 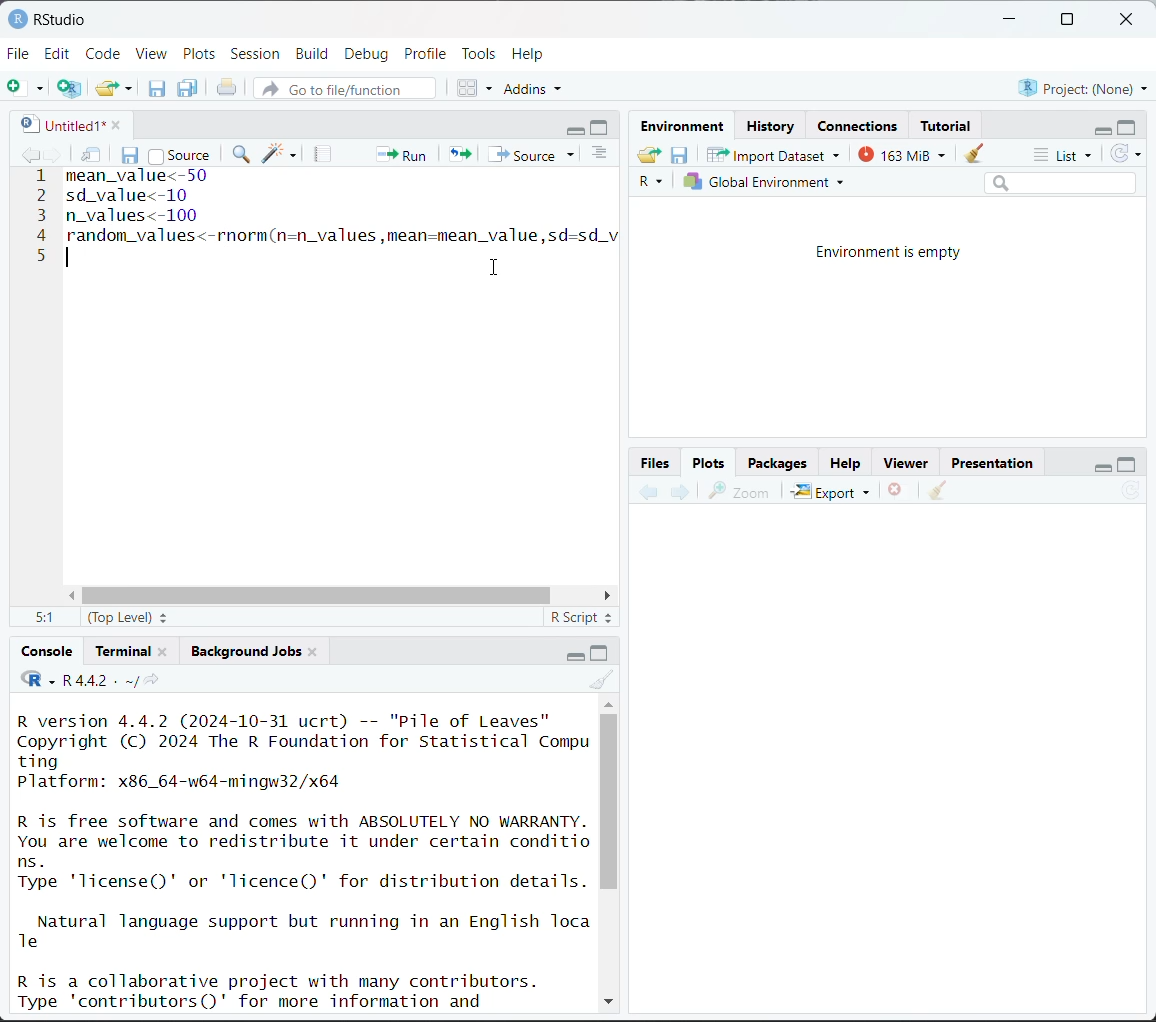 What do you see at coordinates (200, 53) in the screenshot?
I see `Plots` at bounding box center [200, 53].